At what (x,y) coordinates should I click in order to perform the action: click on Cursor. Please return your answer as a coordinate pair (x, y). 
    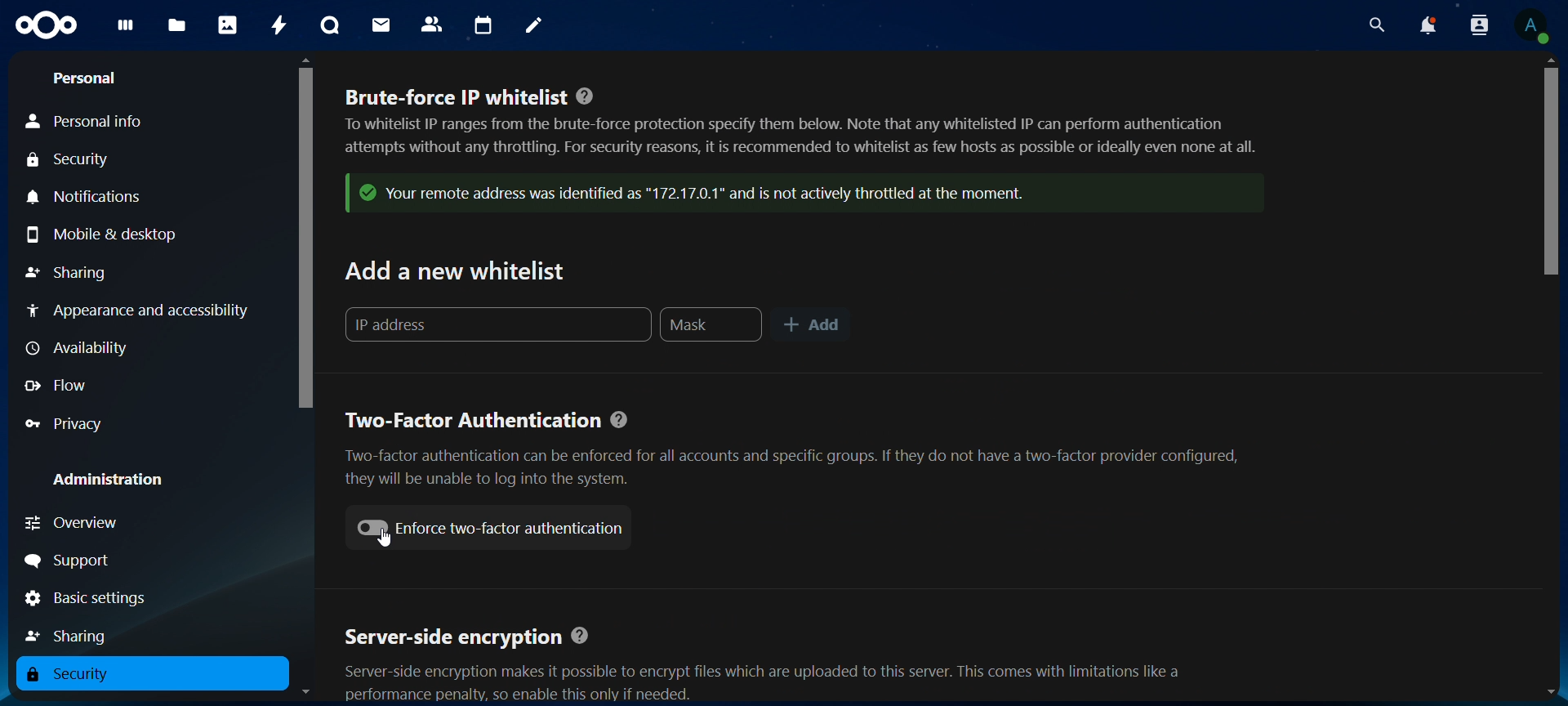
    Looking at the image, I should click on (384, 543).